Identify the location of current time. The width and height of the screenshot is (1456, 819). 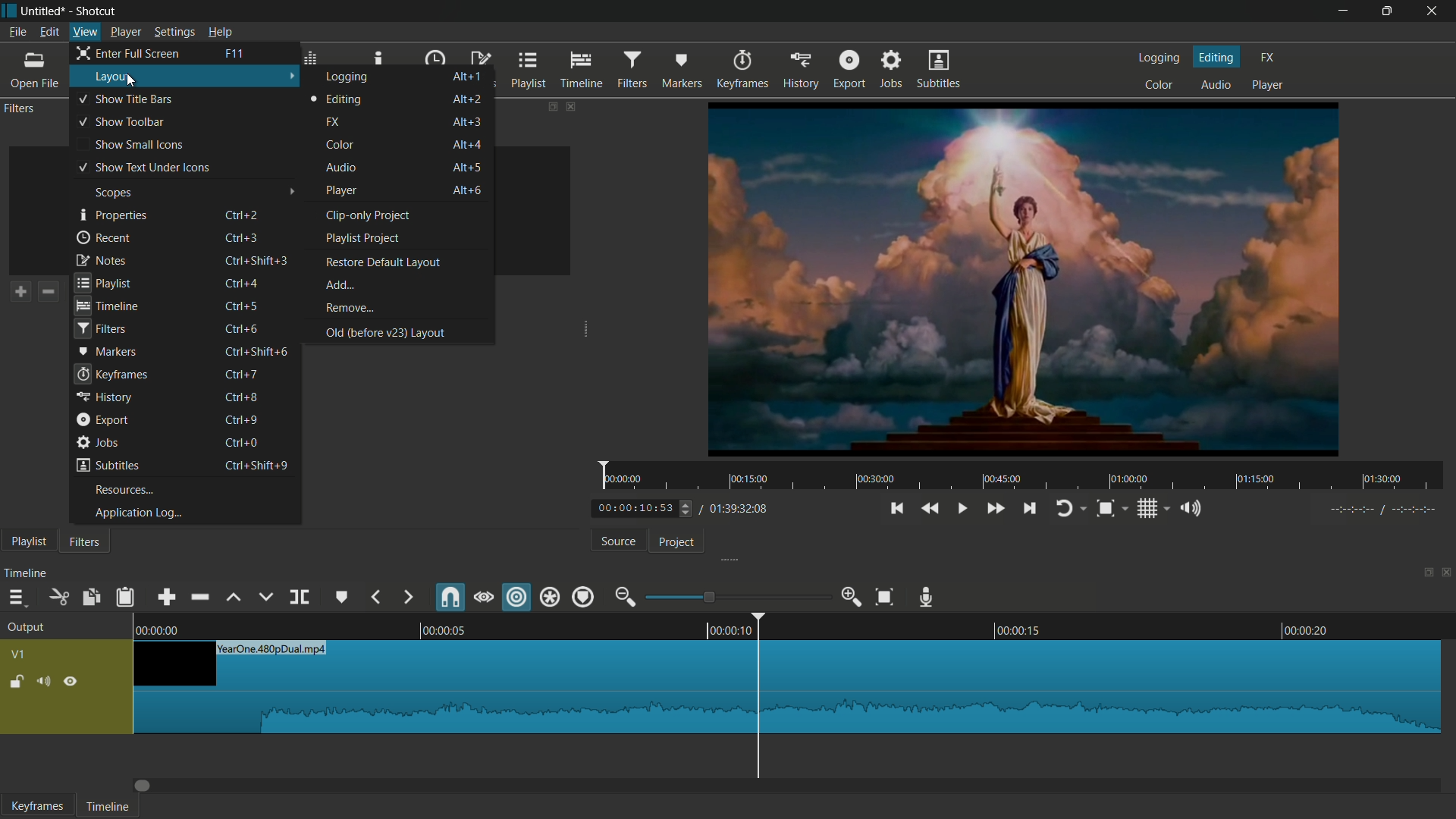
(645, 509).